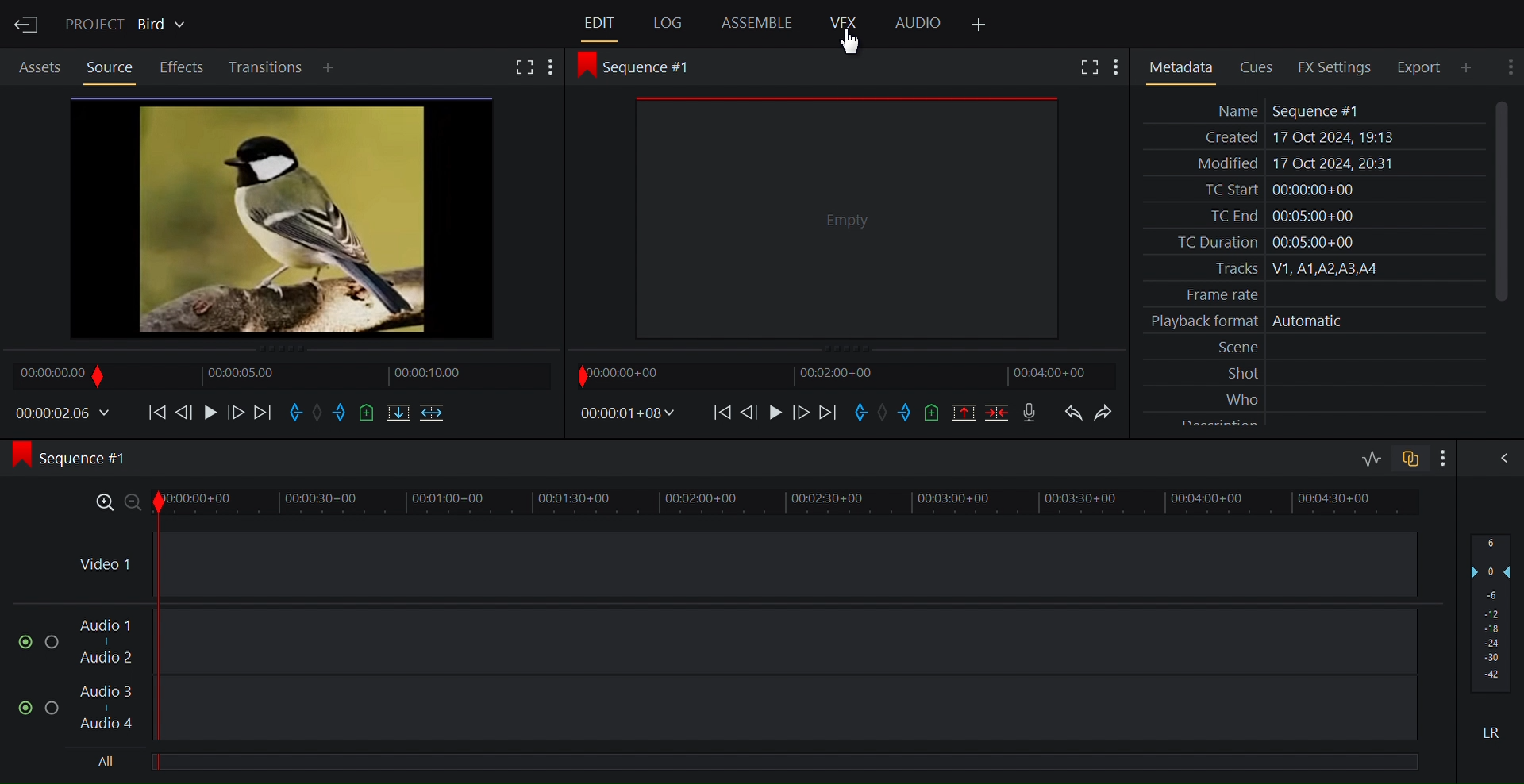 The width and height of the screenshot is (1524, 784). Describe the element at coordinates (777, 411) in the screenshot. I see `Play` at that location.